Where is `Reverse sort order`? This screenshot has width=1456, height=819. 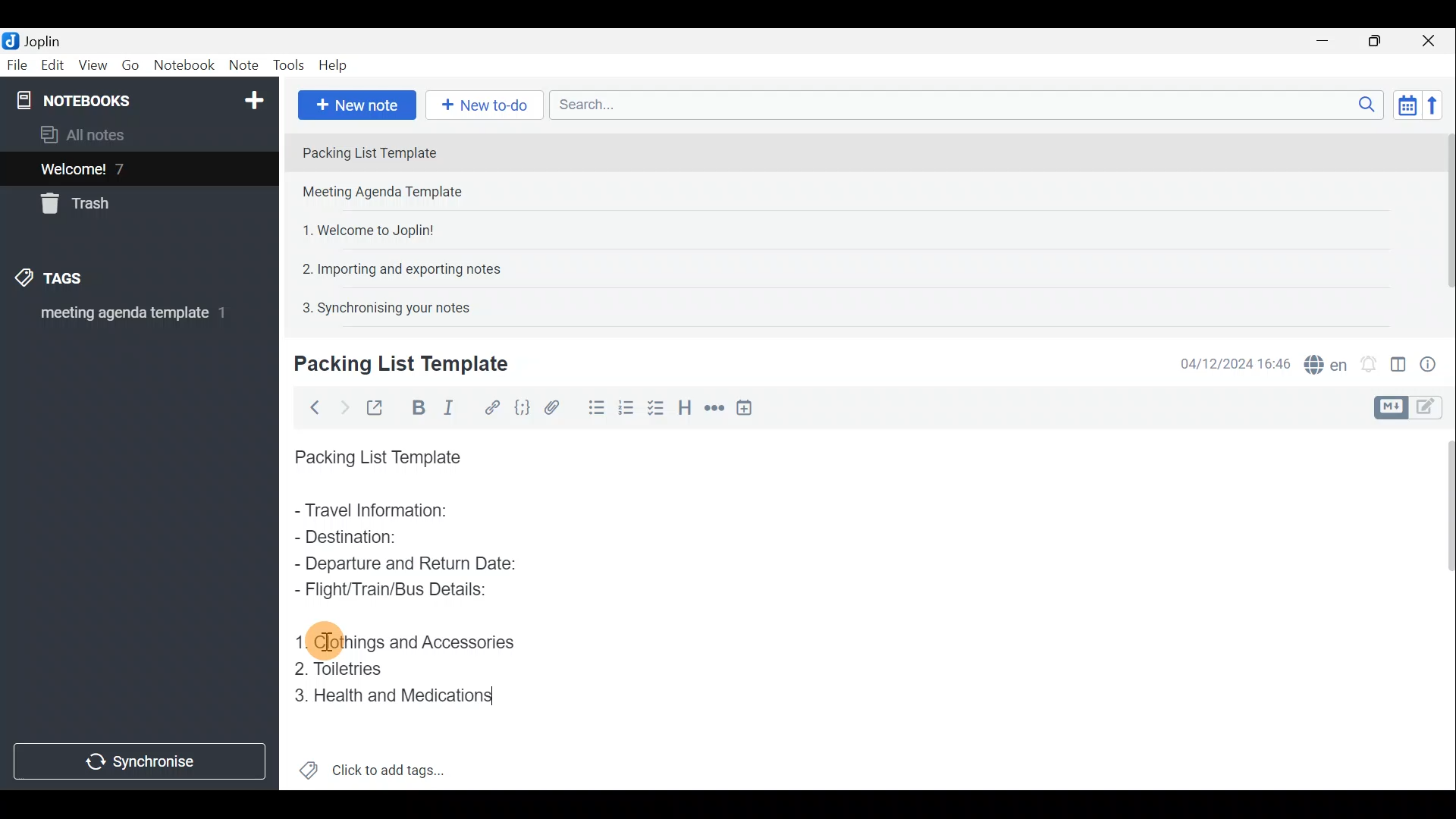 Reverse sort order is located at coordinates (1438, 104).